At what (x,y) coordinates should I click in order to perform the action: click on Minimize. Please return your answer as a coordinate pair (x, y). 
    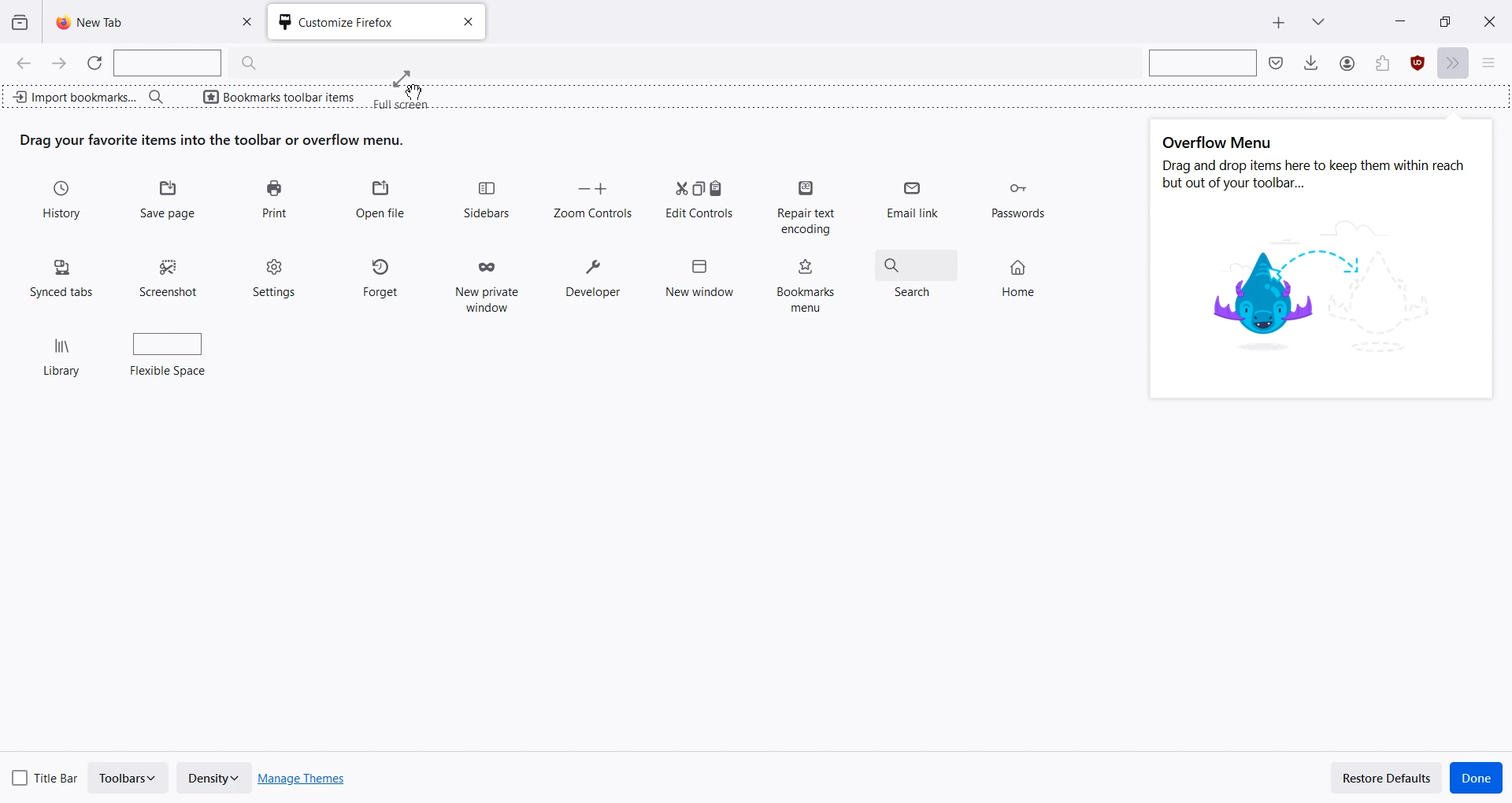
    Looking at the image, I should click on (1401, 20).